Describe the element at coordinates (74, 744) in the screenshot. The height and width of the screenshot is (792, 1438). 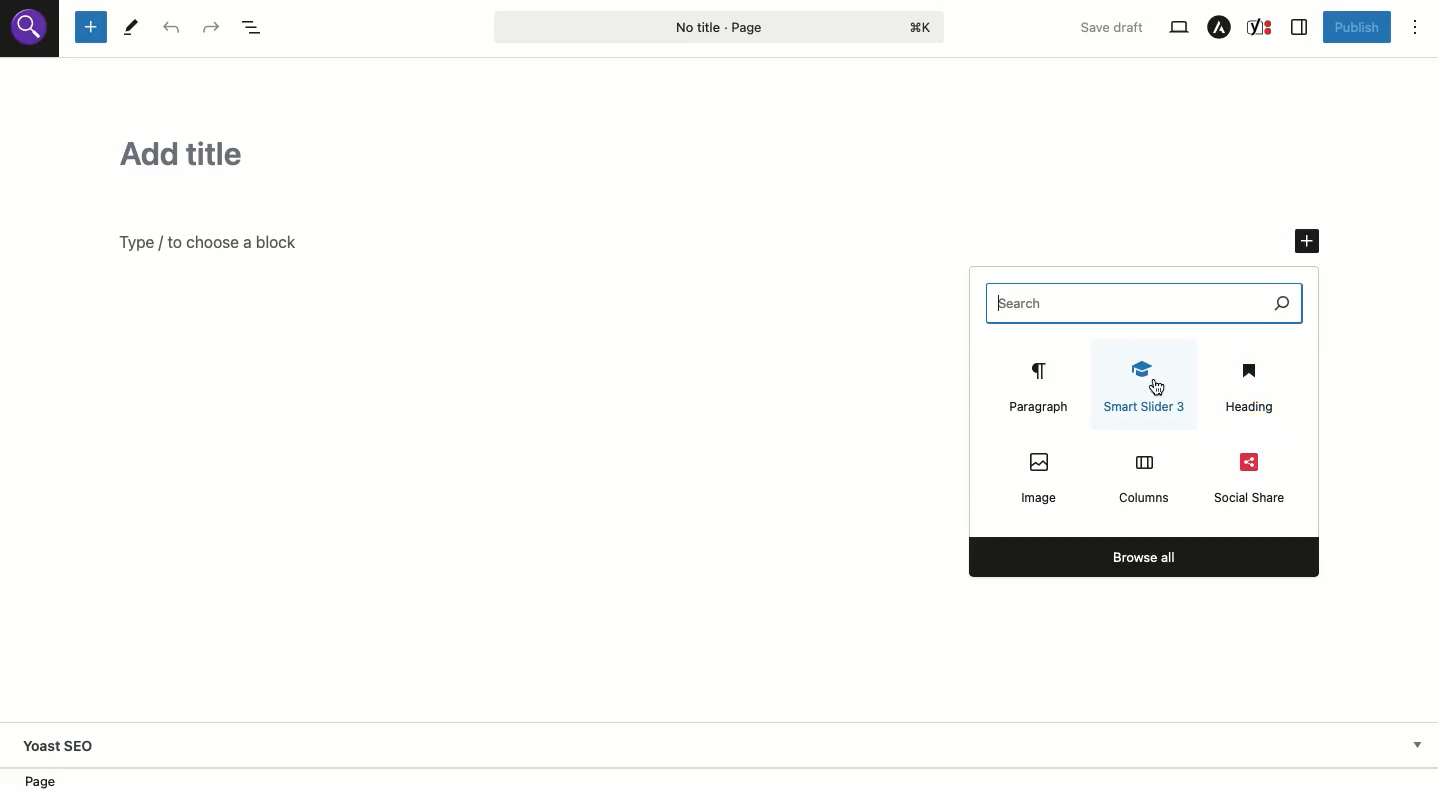
I see `Yoast` at that location.